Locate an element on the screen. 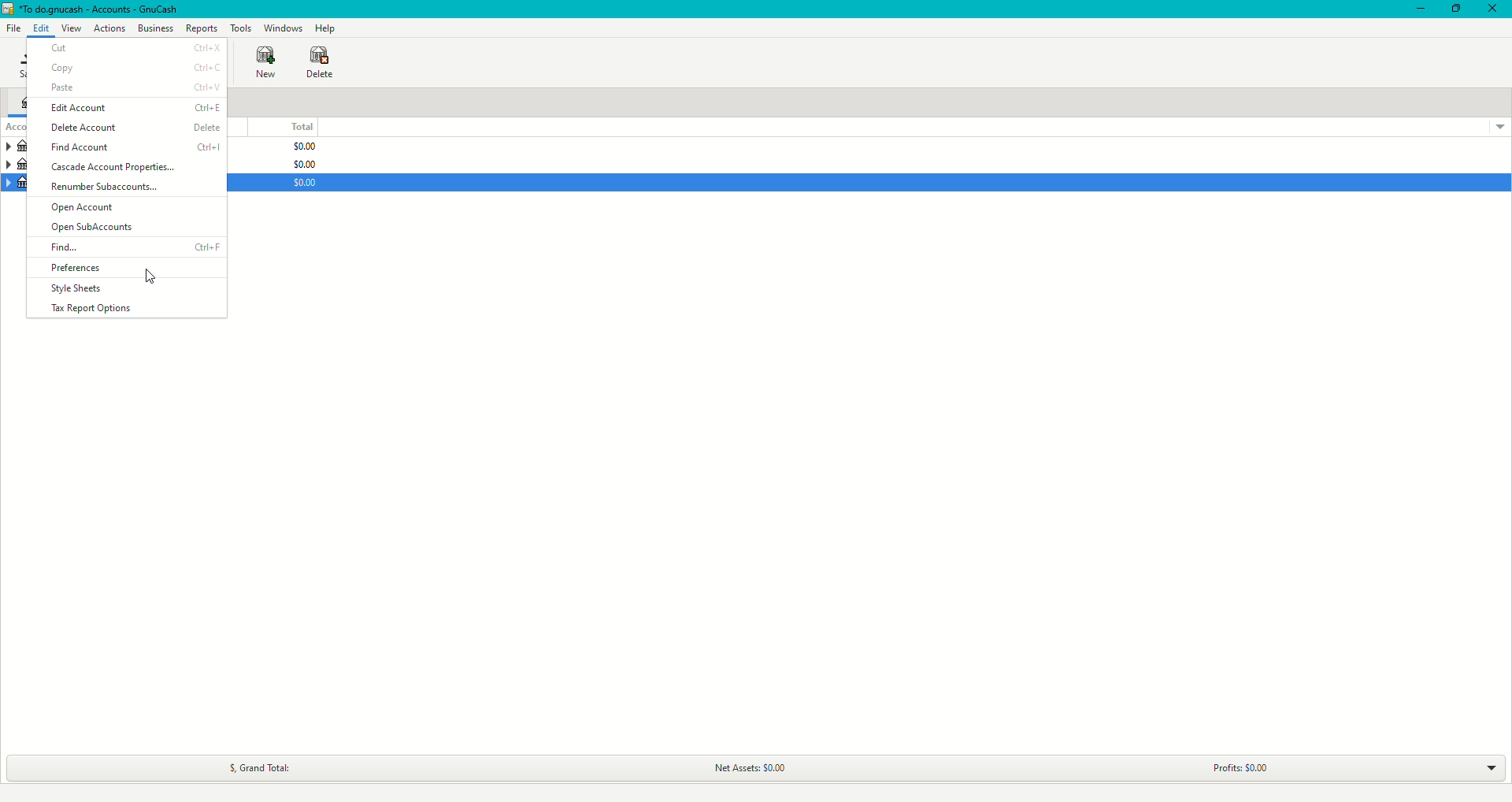  GnuCash is located at coordinates (94, 9).